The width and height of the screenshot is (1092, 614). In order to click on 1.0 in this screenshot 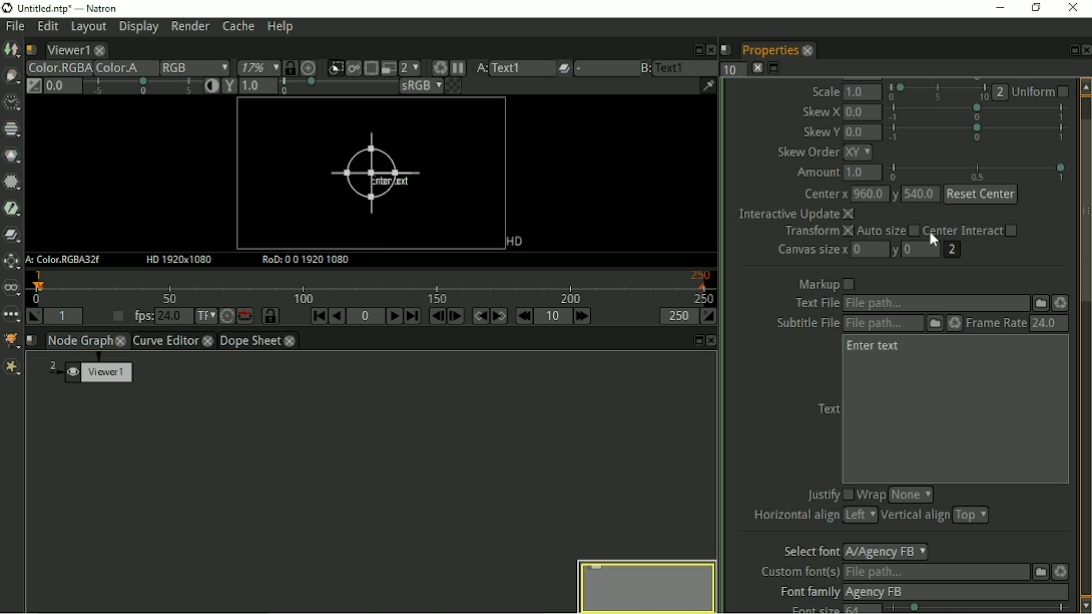, I will do `click(865, 92)`.